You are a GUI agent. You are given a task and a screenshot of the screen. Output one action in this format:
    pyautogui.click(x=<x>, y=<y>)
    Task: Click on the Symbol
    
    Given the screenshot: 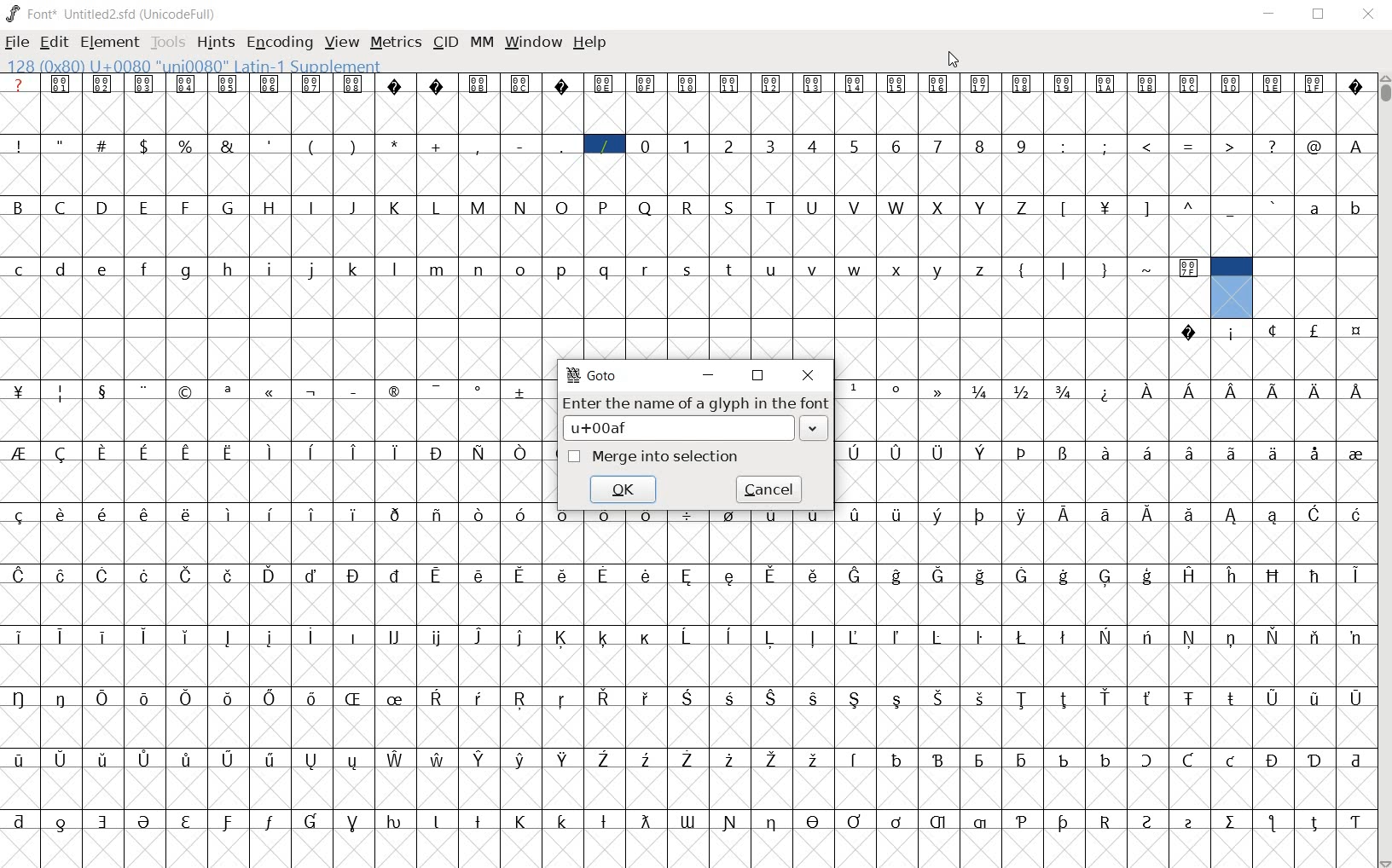 What is the action you would take?
    pyautogui.click(x=1354, y=820)
    